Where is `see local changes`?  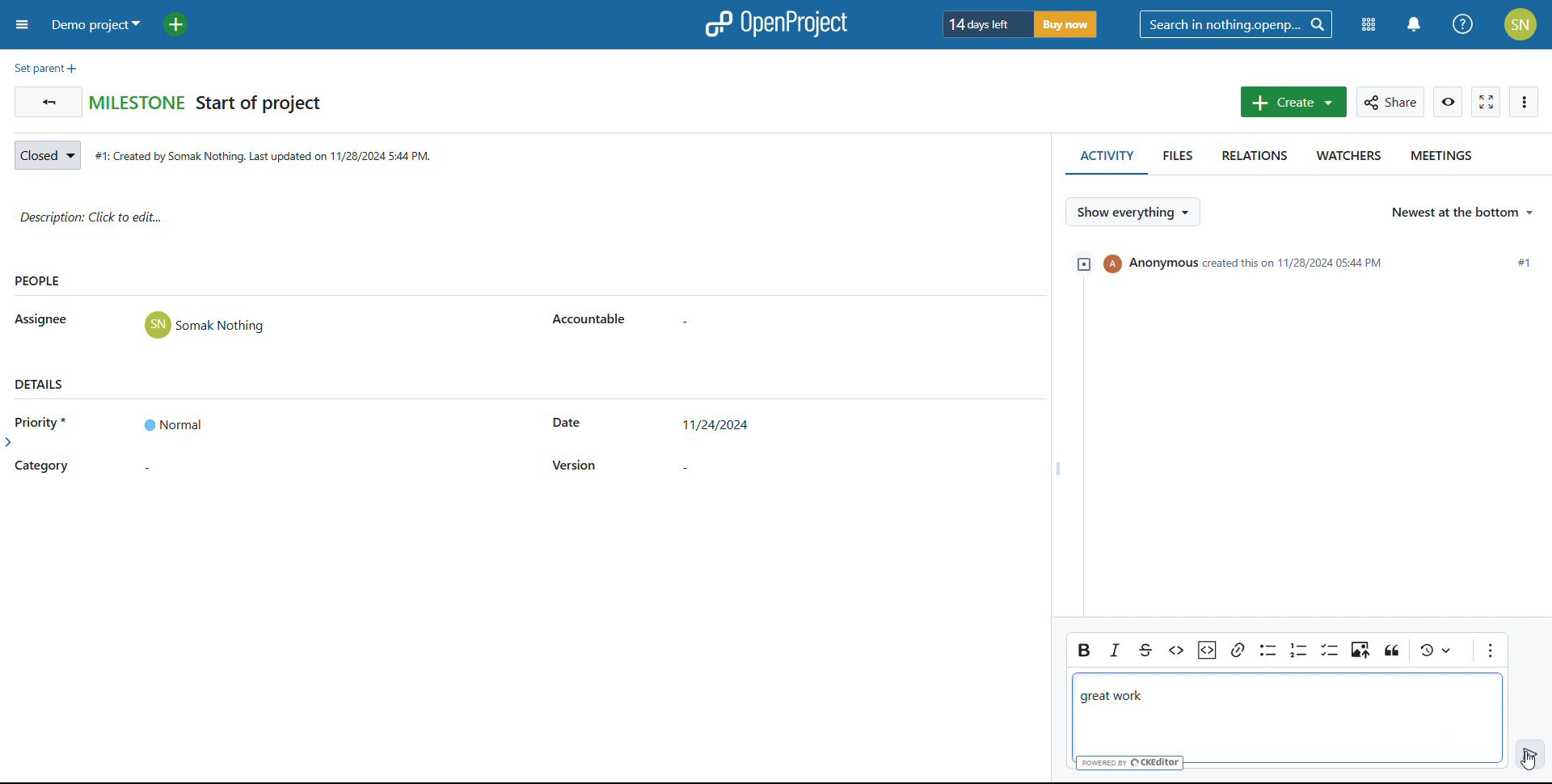 see local changes is located at coordinates (1392, 651).